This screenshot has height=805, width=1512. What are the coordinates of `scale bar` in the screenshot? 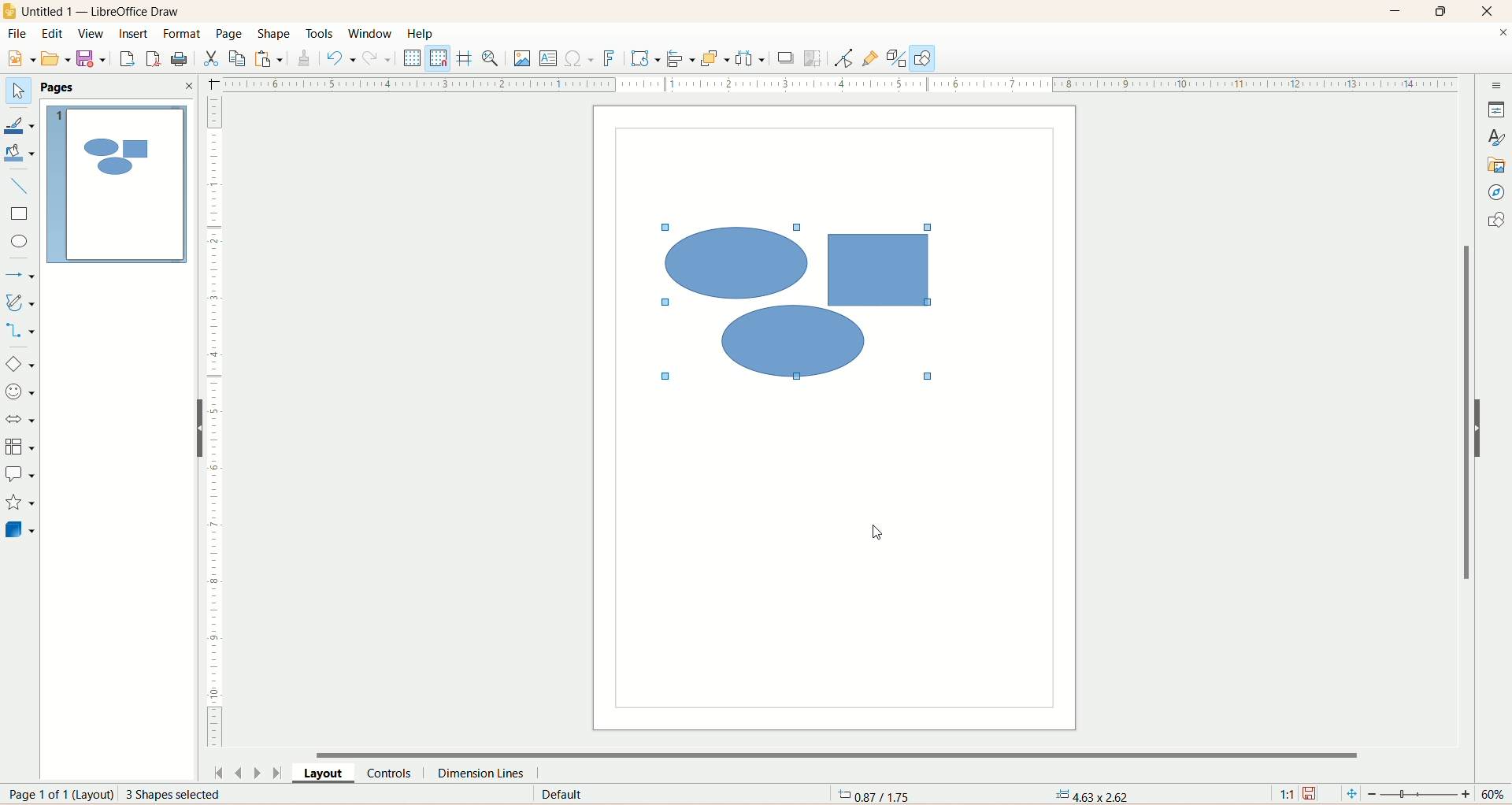 It's located at (220, 422).